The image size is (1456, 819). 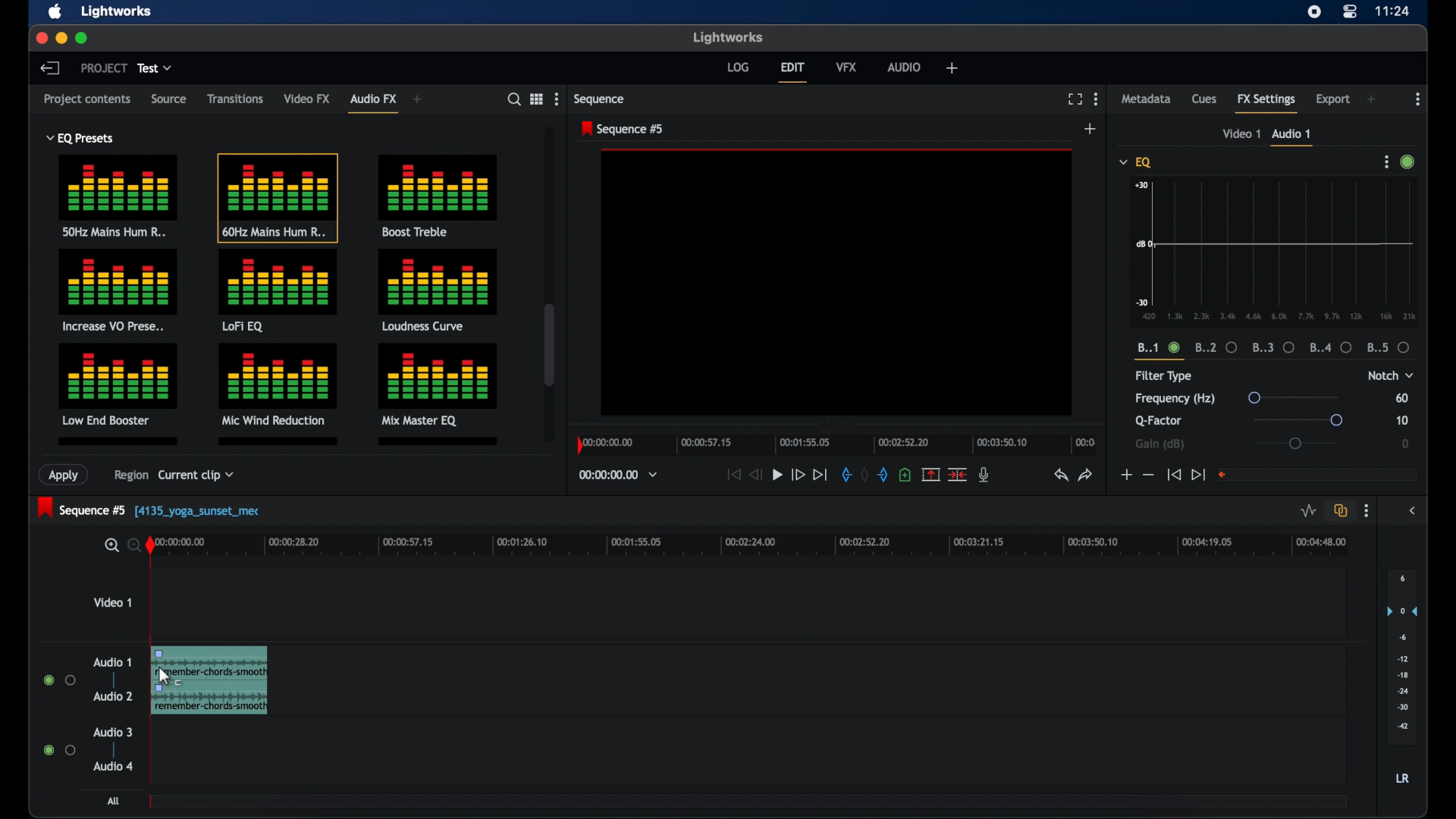 What do you see at coordinates (792, 72) in the screenshot?
I see `edit` at bounding box center [792, 72].